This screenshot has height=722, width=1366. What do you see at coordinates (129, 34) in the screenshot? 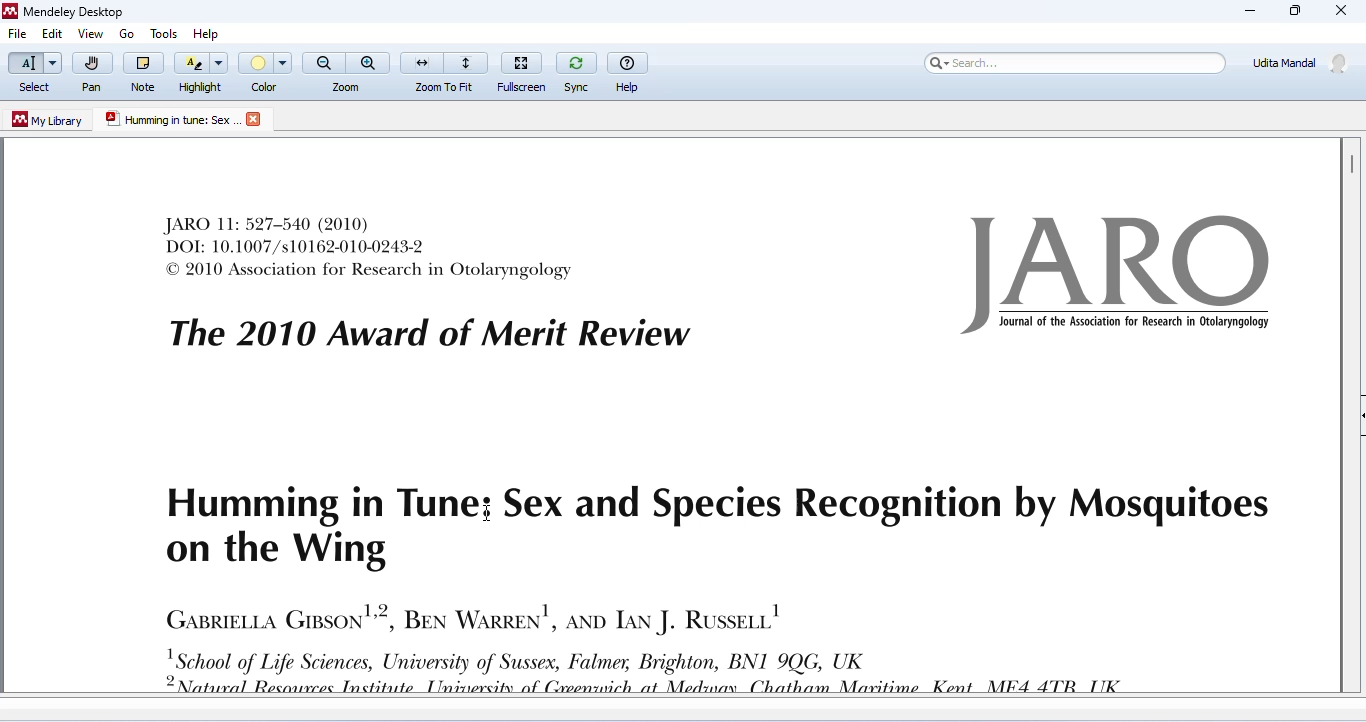
I see `Go` at bounding box center [129, 34].